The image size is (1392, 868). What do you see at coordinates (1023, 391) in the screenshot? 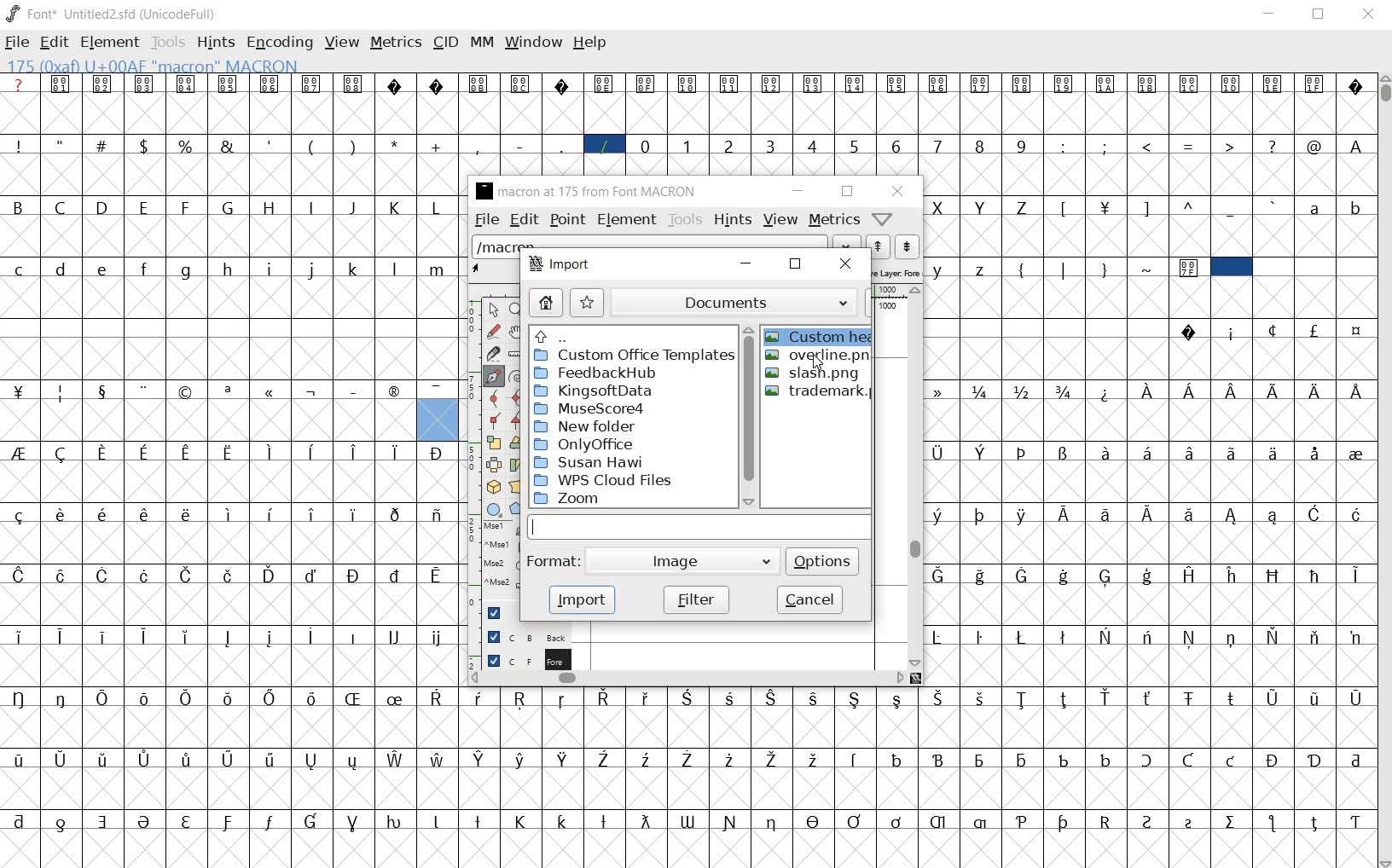
I see `Symbol` at bounding box center [1023, 391].